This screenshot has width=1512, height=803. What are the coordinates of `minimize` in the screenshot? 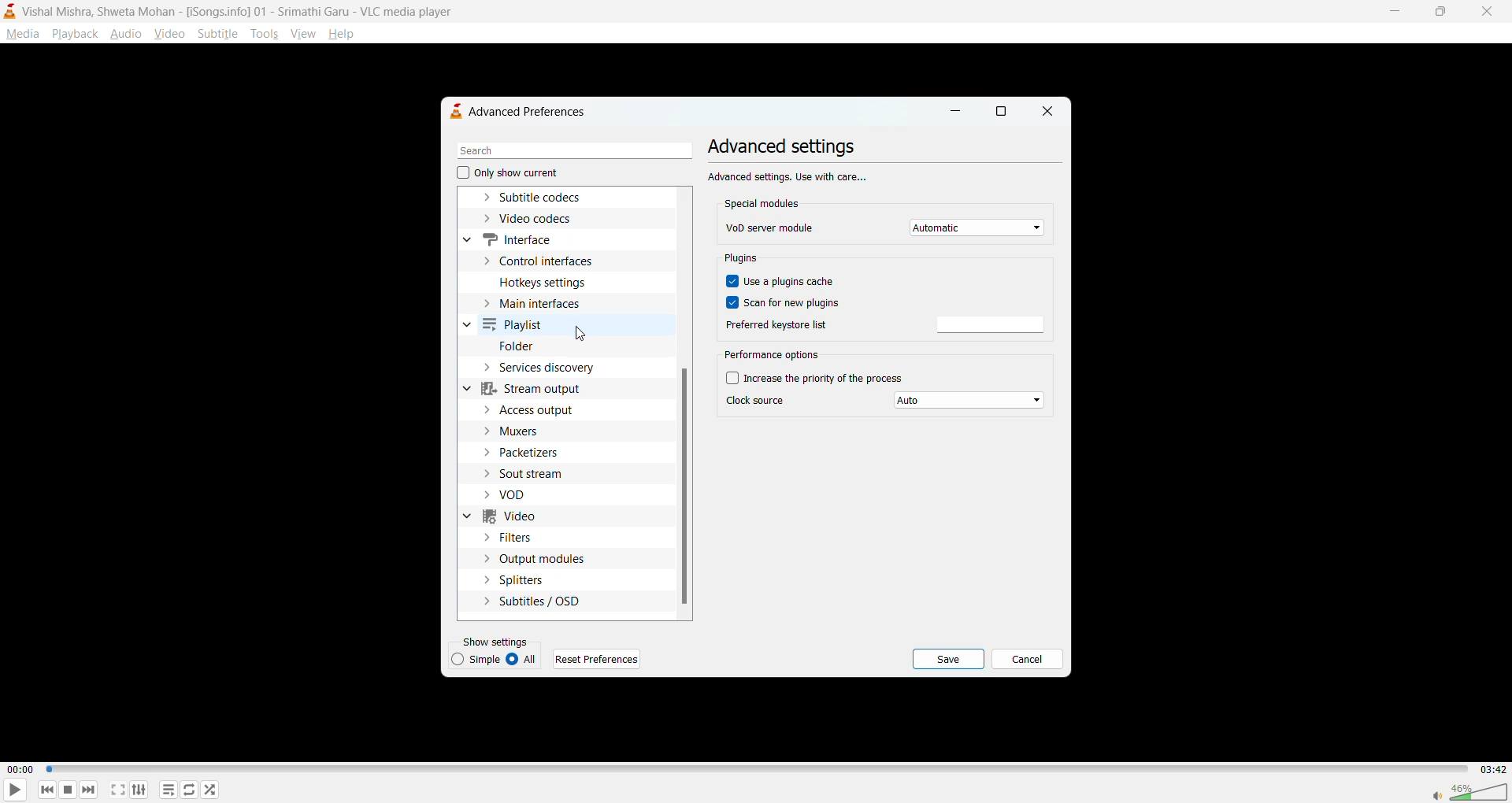 It's located at (1392, 9).